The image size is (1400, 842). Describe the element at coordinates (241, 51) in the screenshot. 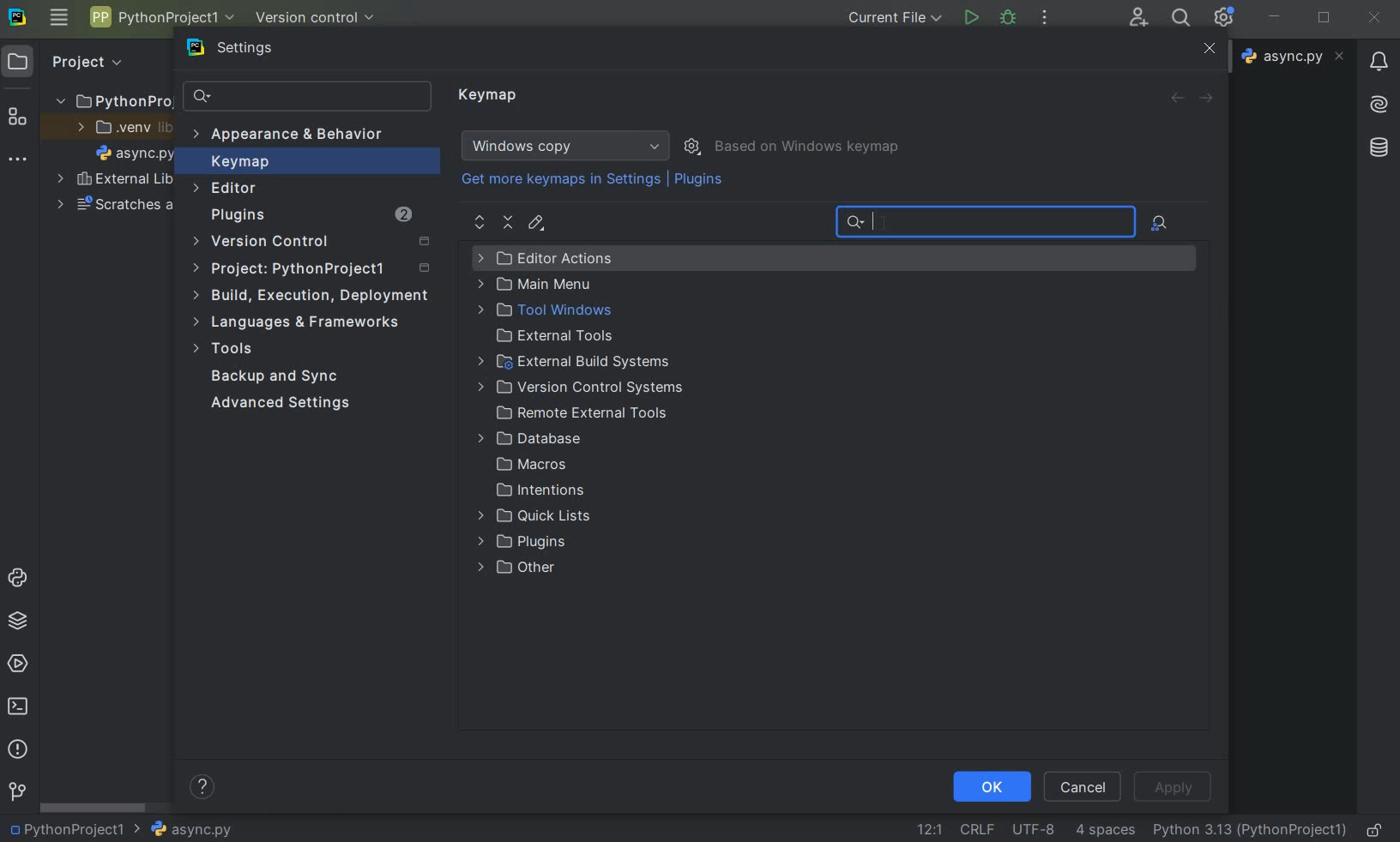

I see `settings` at that location.